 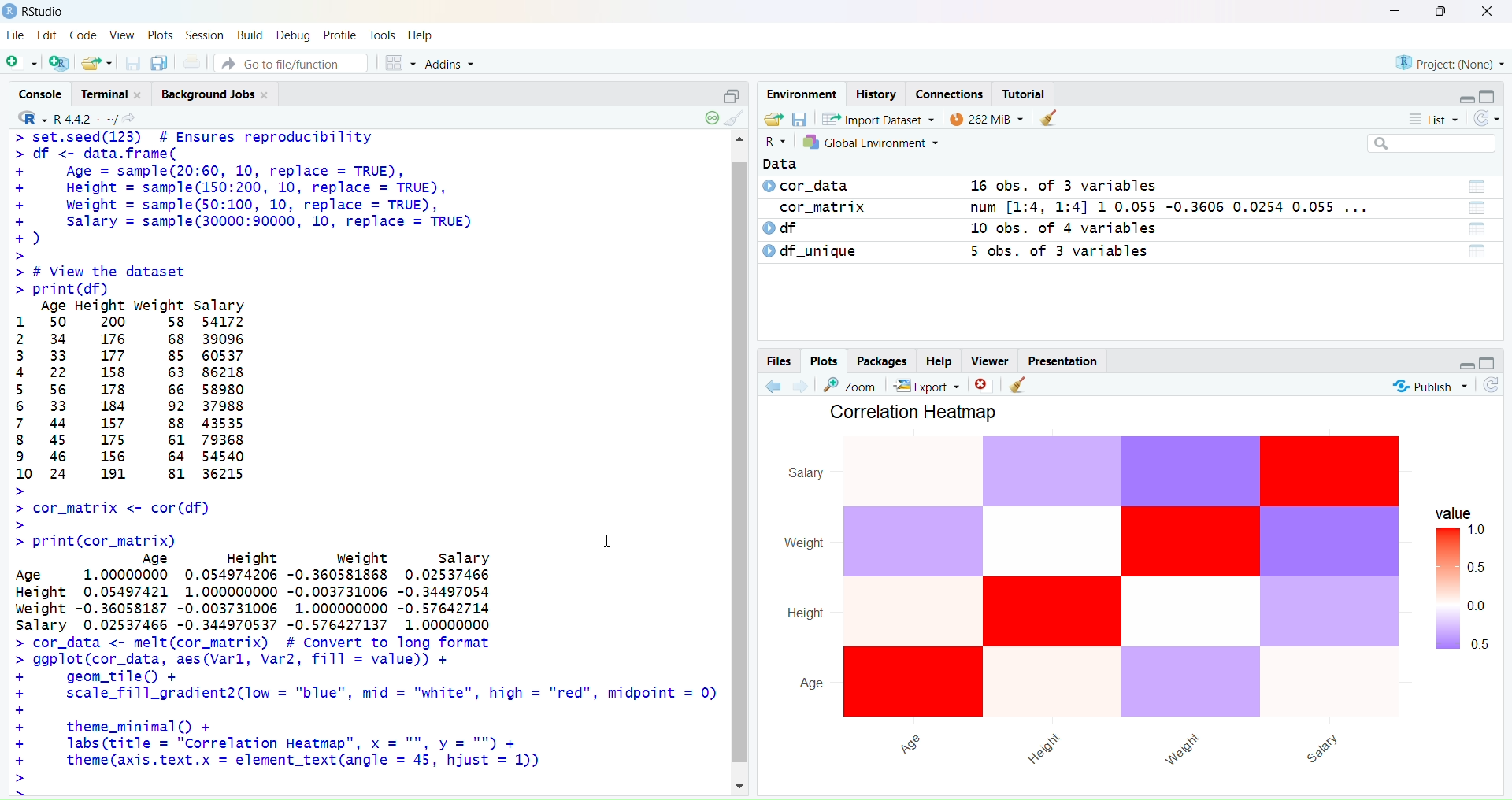 I want to click on Help, so click(x=420, y=32).